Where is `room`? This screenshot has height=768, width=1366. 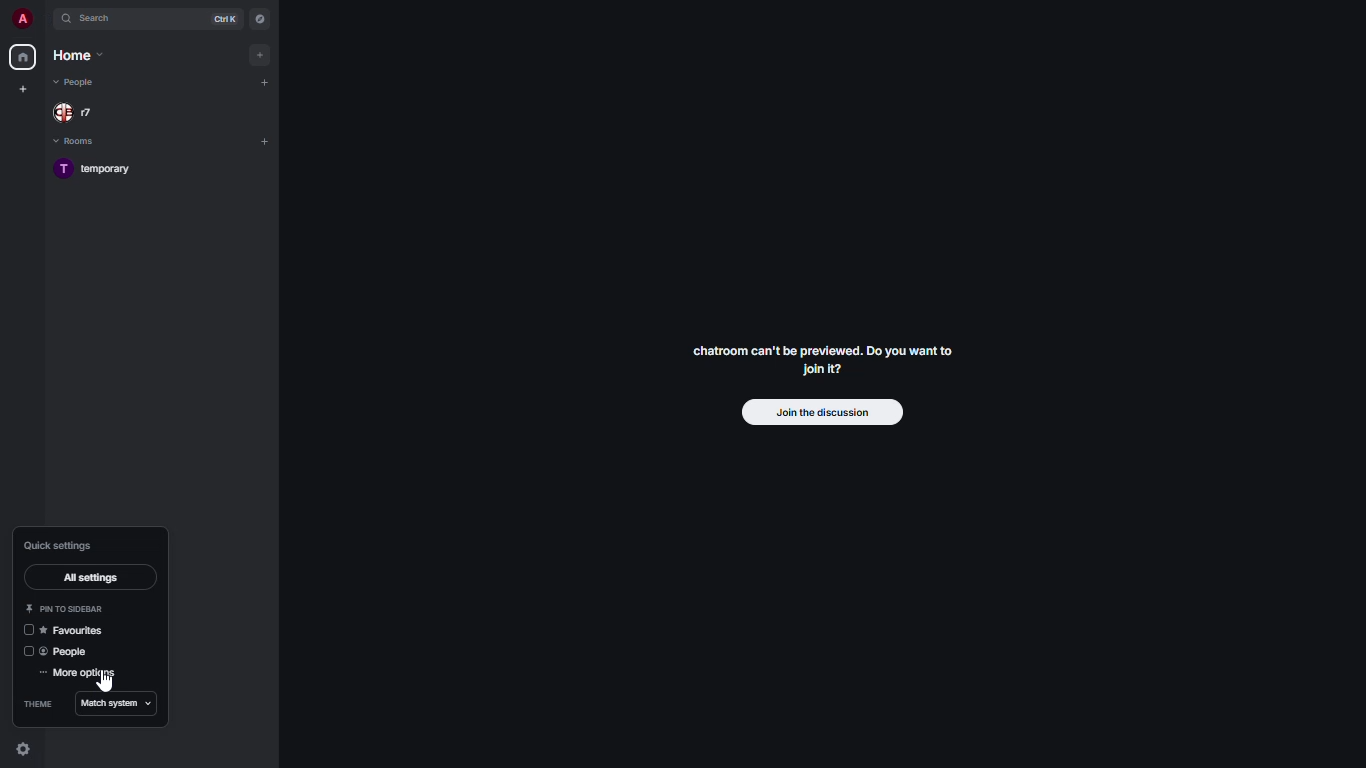 room is located at coordinates (100, 170).